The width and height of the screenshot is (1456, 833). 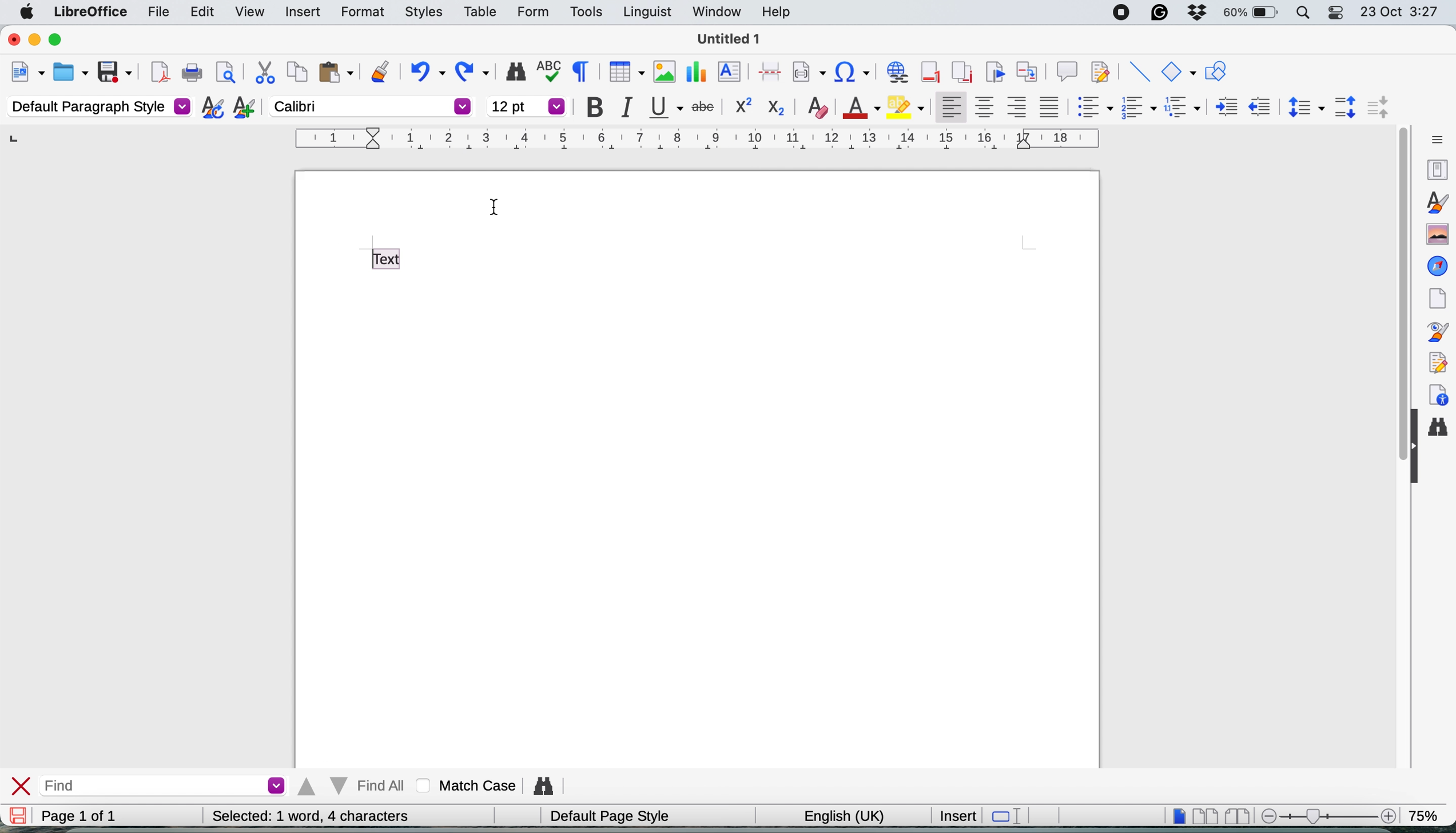 I want to click on select outline format, so click(x=1183, y=108).